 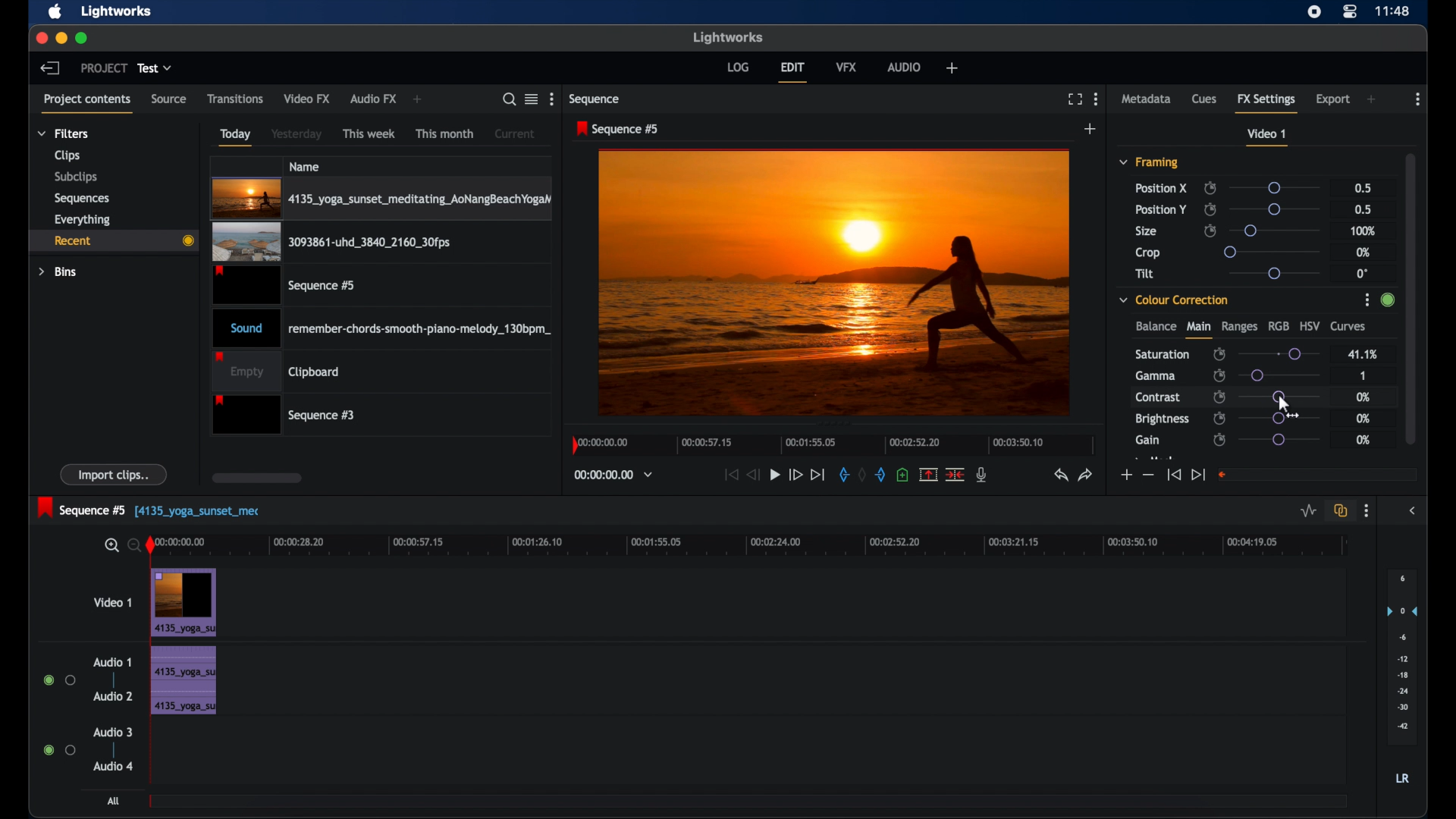 I want to click on everything, so click(x=83, y=219).